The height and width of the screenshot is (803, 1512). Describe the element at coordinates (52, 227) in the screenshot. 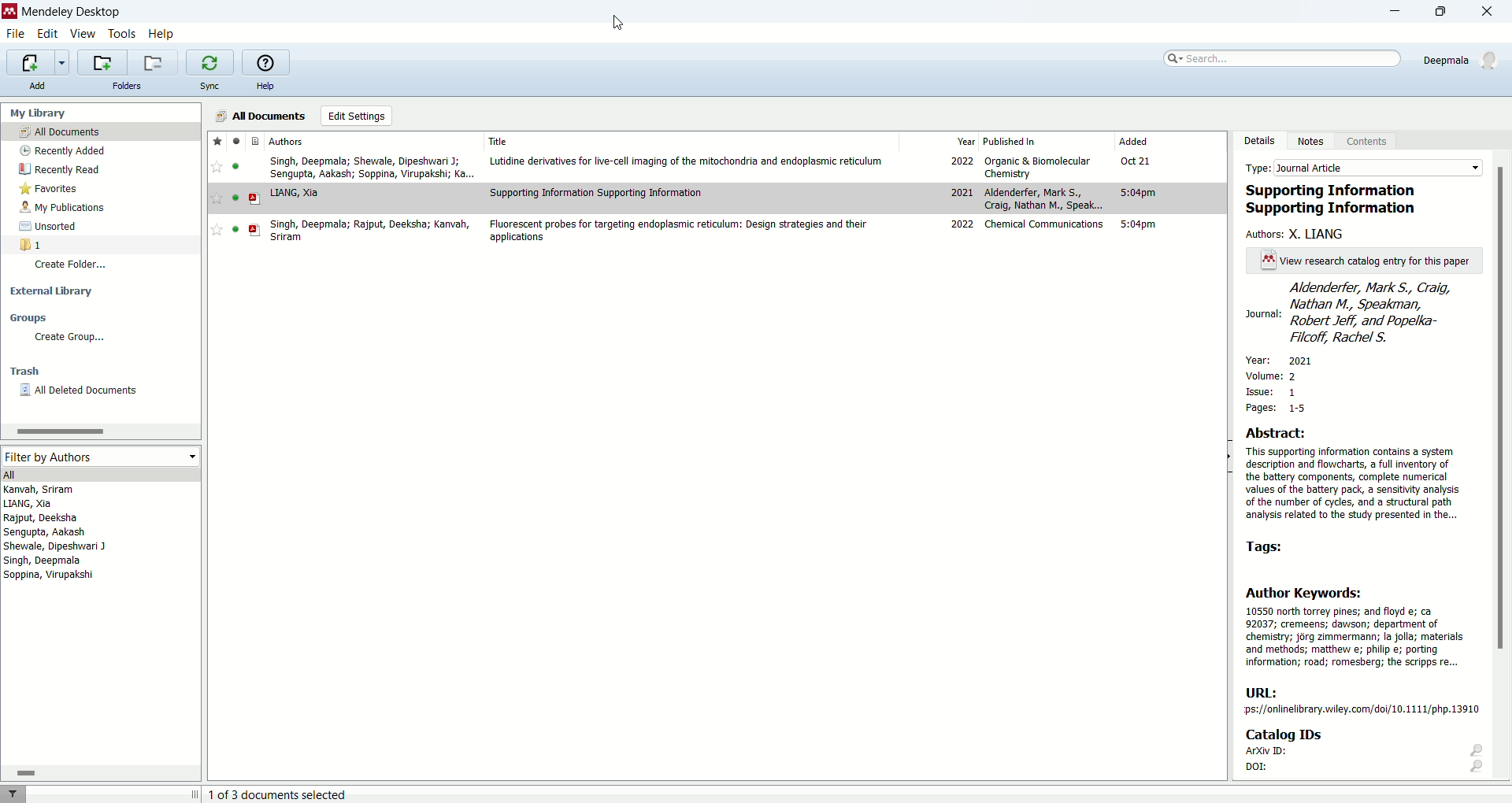

I see `unsorted` at that location.